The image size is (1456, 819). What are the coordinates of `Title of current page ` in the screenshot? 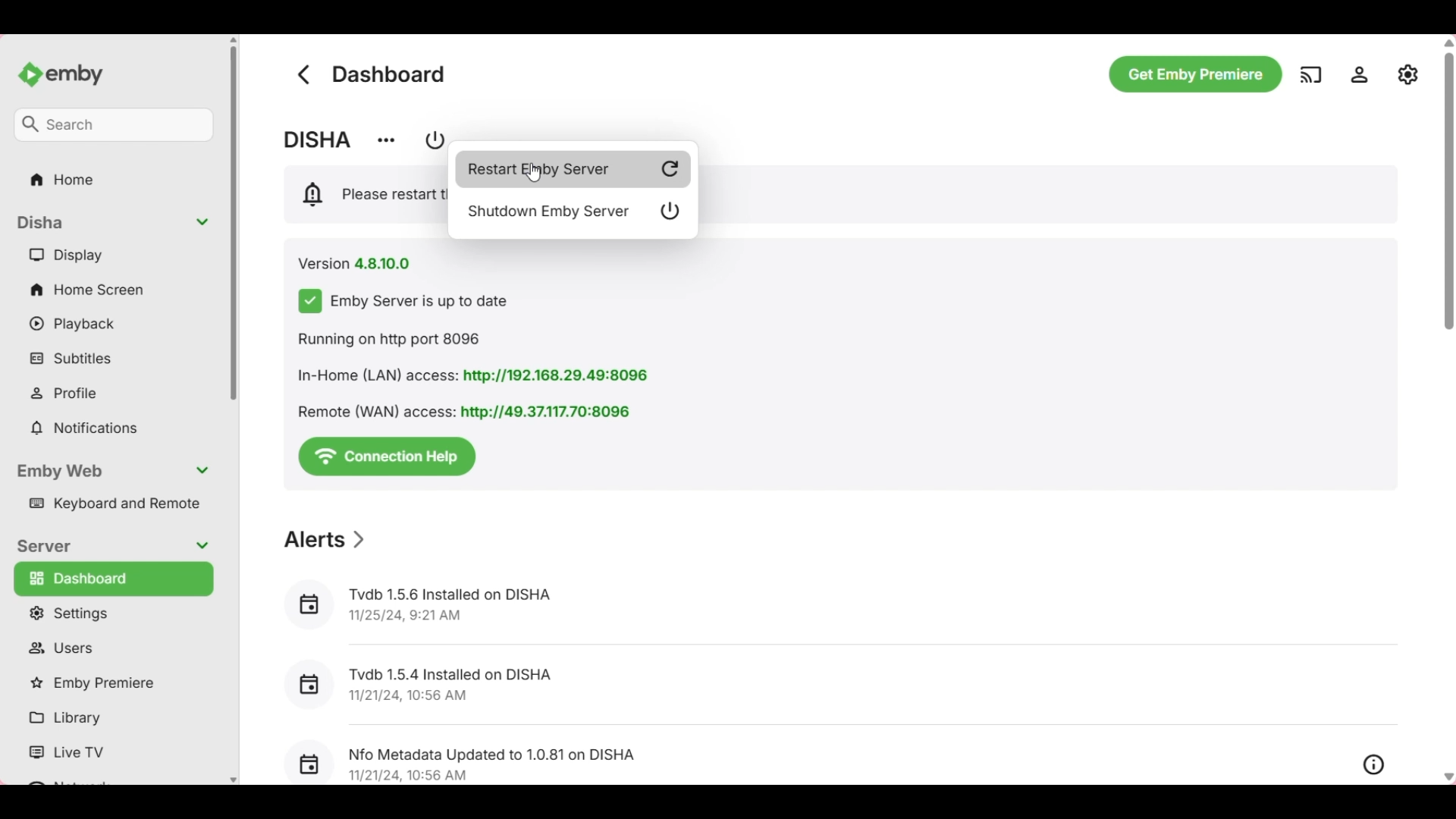 It's located at (389, 74).